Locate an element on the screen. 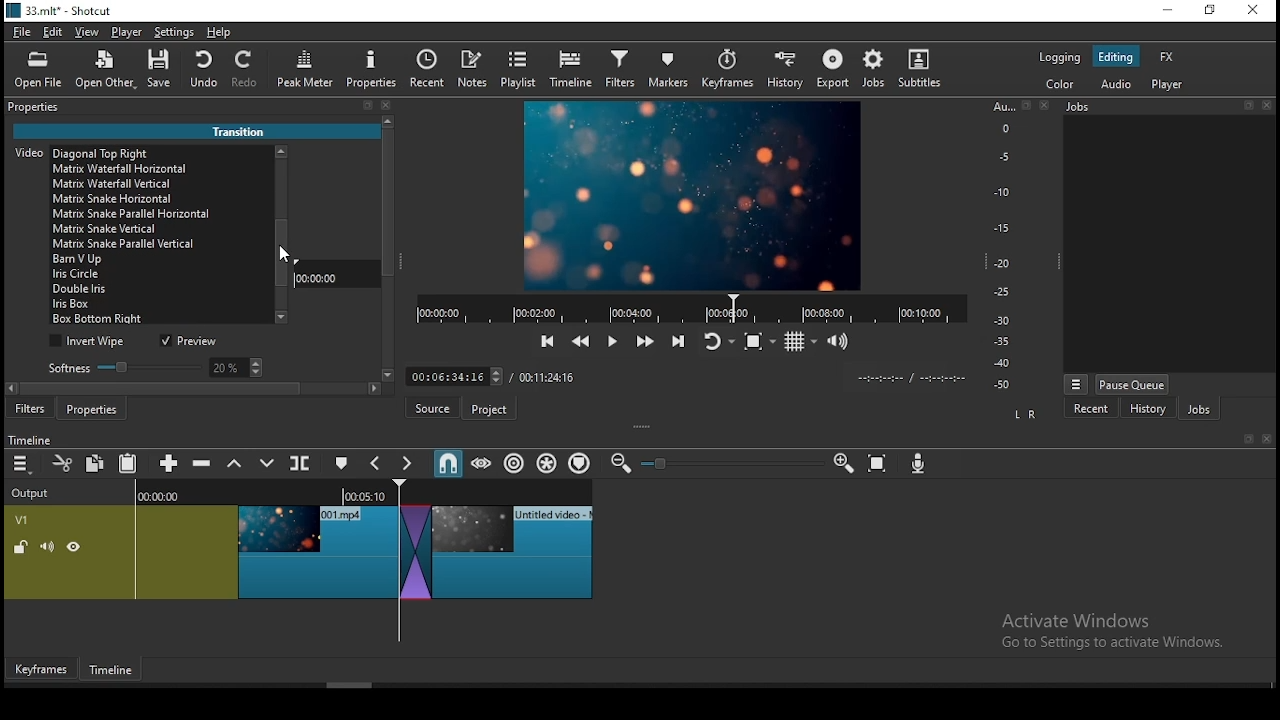 The image size is (1280, 720).  is located at coordinates (1269, 105).